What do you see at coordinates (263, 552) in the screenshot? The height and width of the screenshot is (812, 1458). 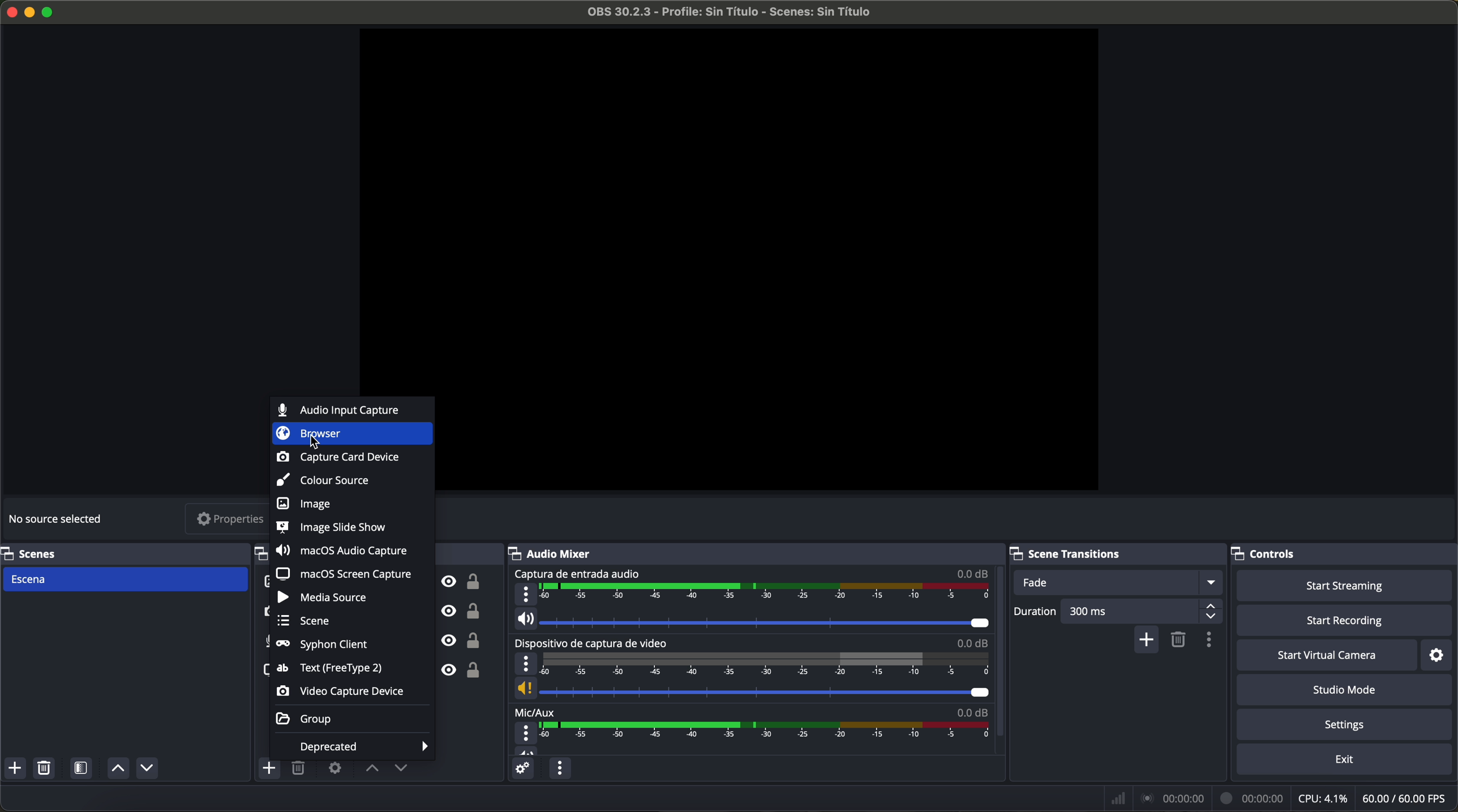 I see `sources` at bounding box center [263, 552].